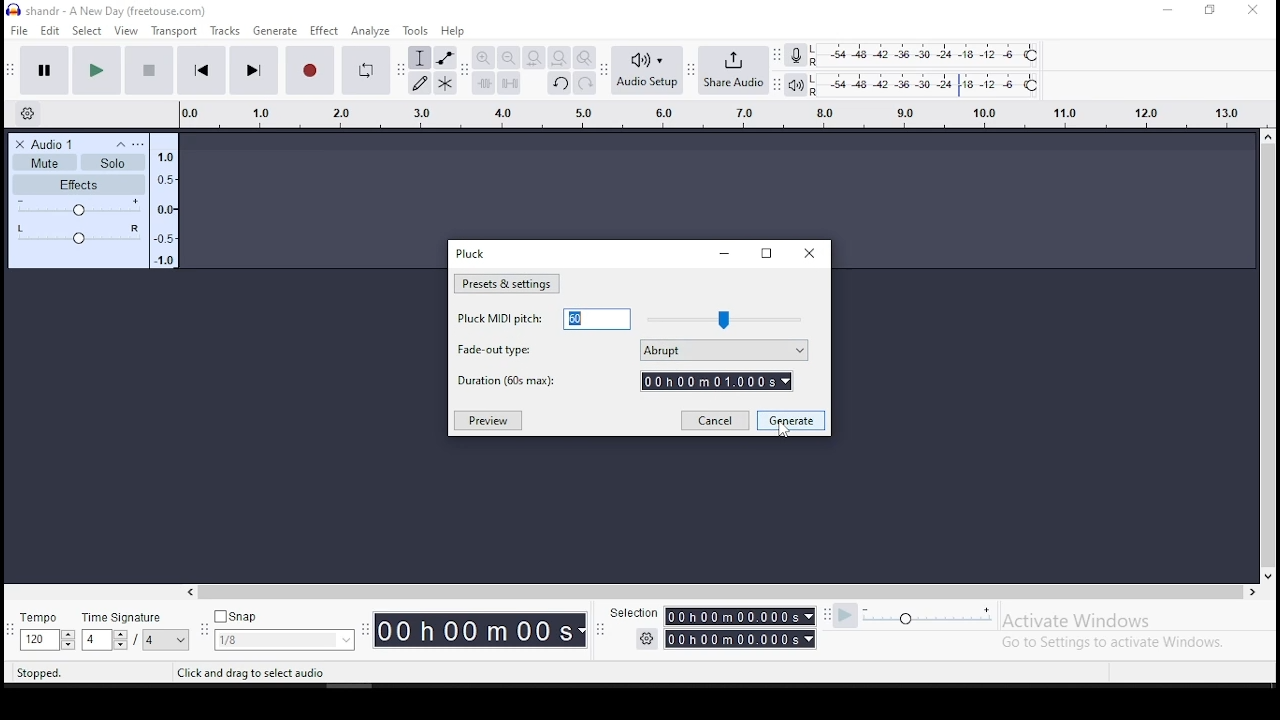 The height and width of the screenshot is (720, 1280). I want to click on cursor, so click(784, 431).